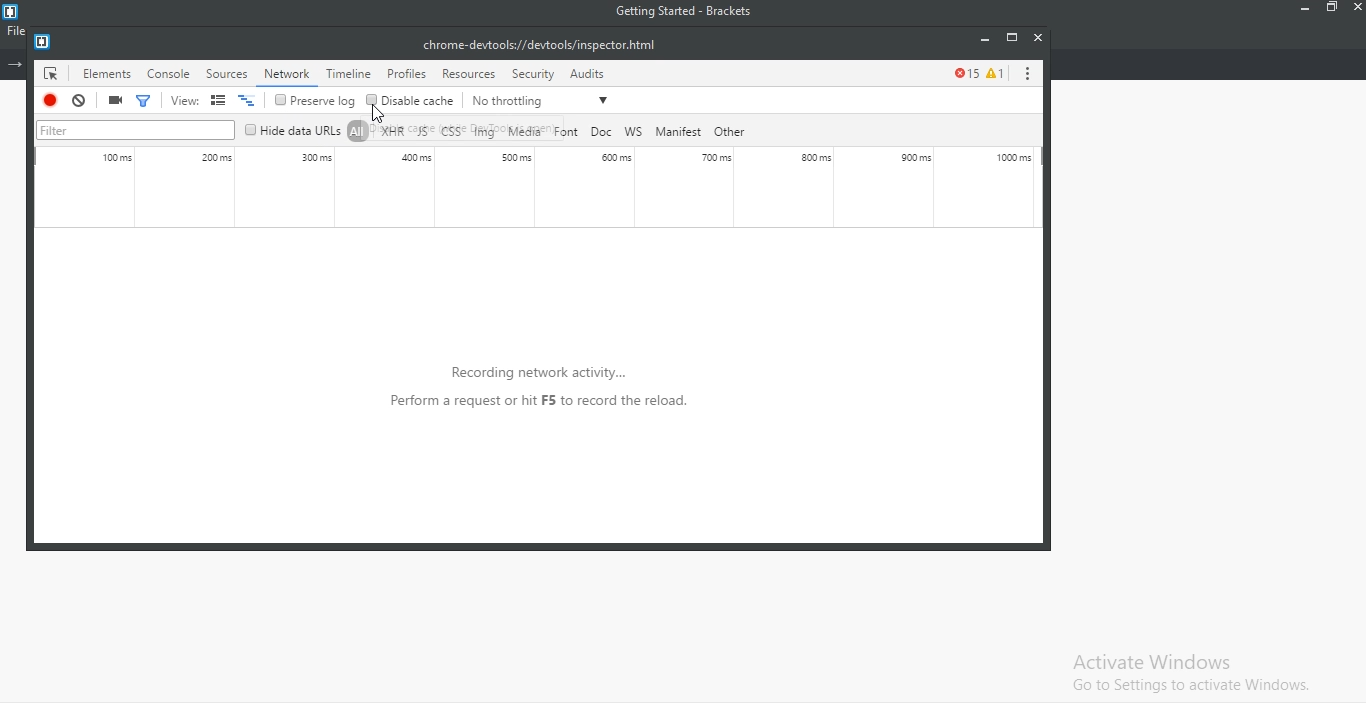 Image resolution: width=1366 pixels, height=728 pixels. I want to click on close, so click(1037, 37).